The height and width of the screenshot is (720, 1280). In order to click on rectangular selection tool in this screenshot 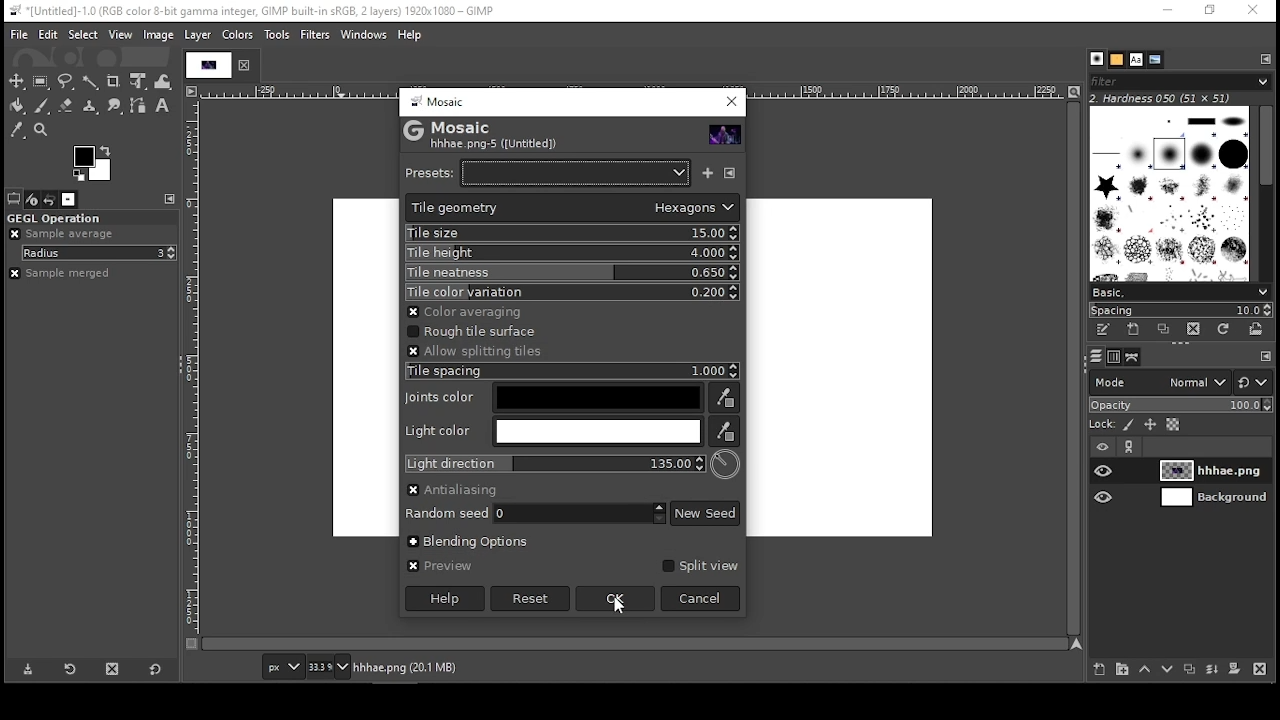, I will do `click(40, 80)`.